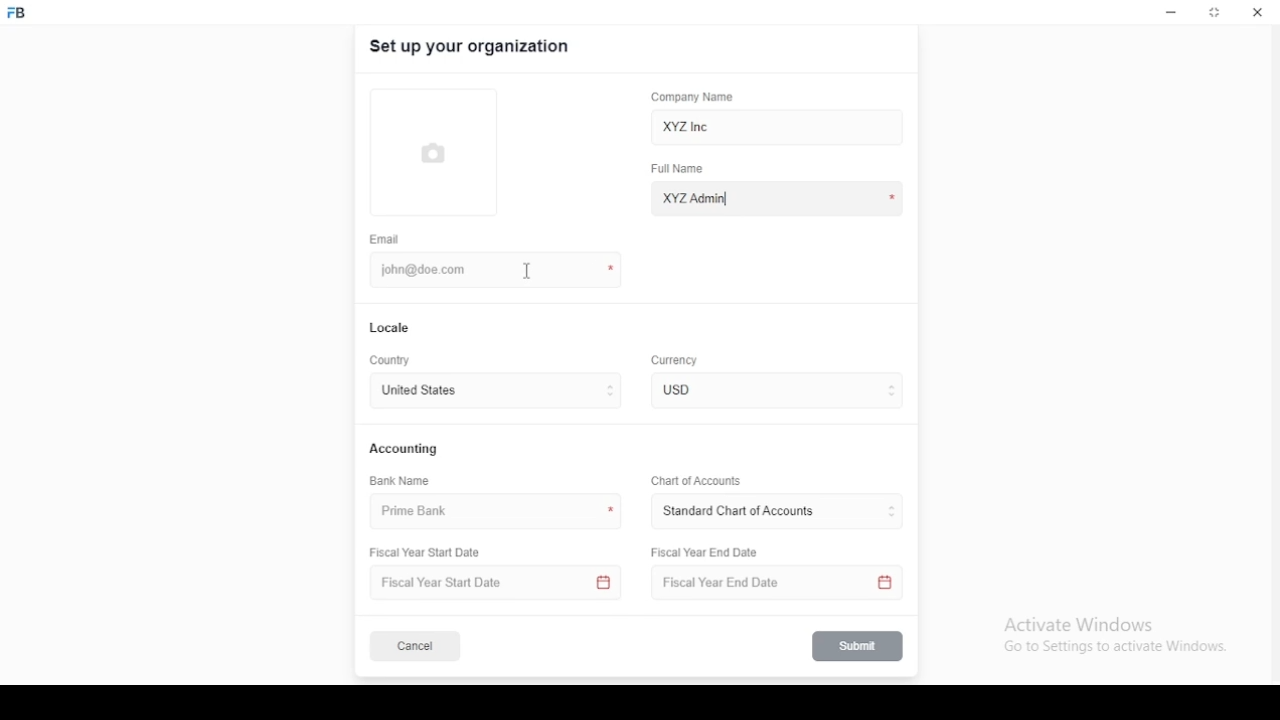 This screenshot has width=1280, height=720. What do you see at coordinates (1255, 12) in the screenshot?
I see `close window` at bounding box center [1255, 12].